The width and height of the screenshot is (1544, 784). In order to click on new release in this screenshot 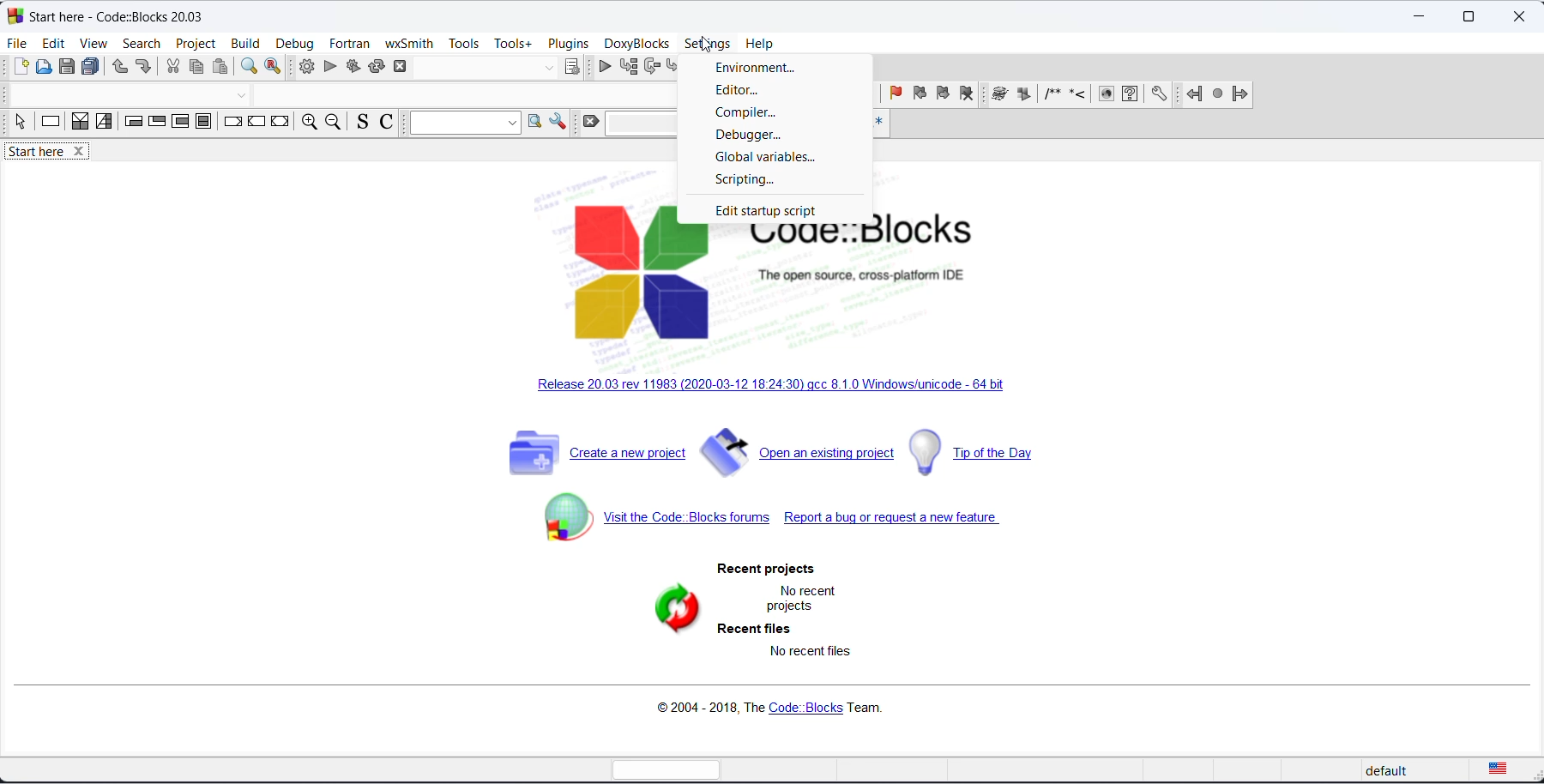, I will do `click(763, 386)`.